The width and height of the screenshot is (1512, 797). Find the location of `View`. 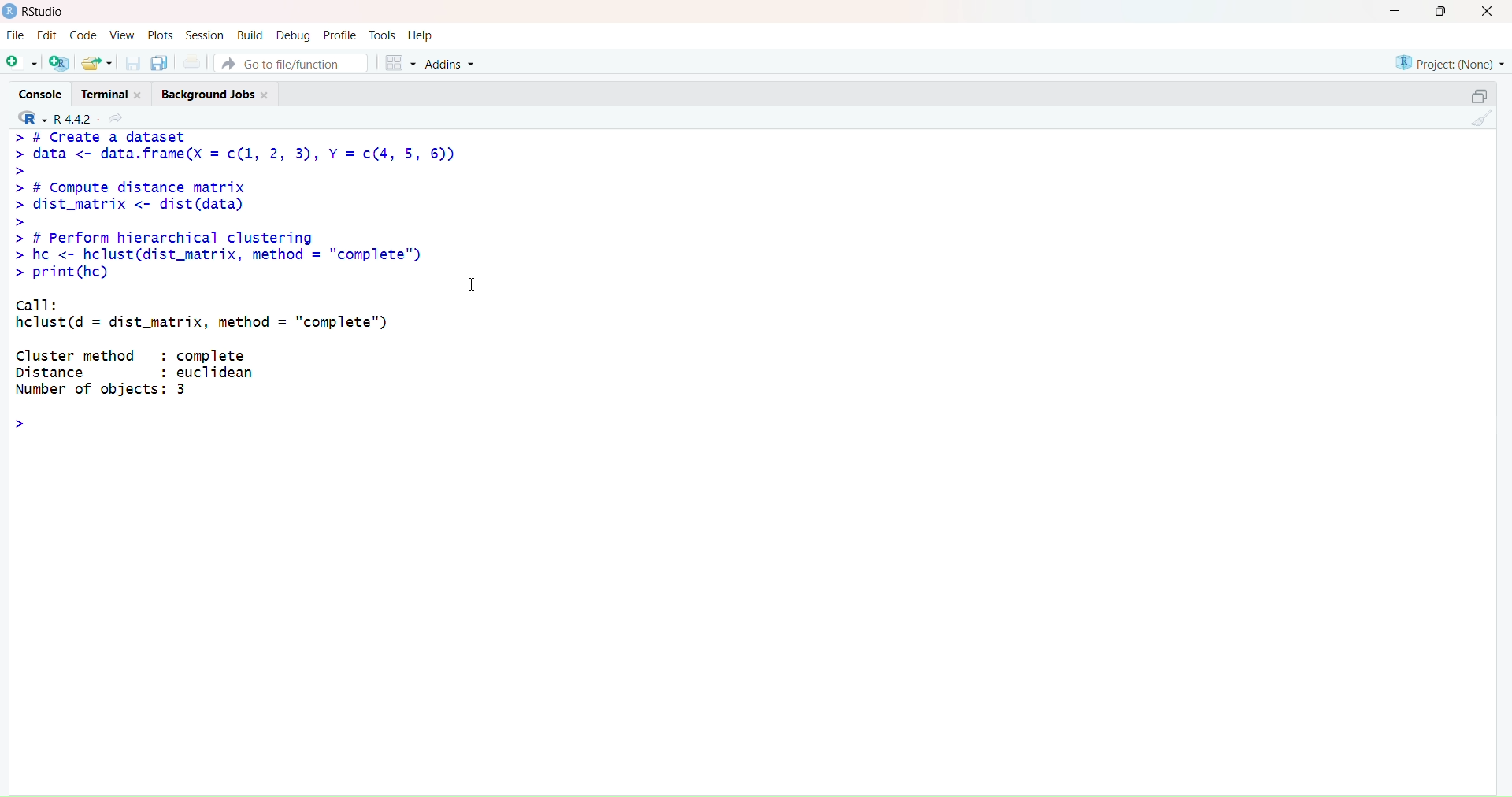

View is located at coordinates (122, 35).